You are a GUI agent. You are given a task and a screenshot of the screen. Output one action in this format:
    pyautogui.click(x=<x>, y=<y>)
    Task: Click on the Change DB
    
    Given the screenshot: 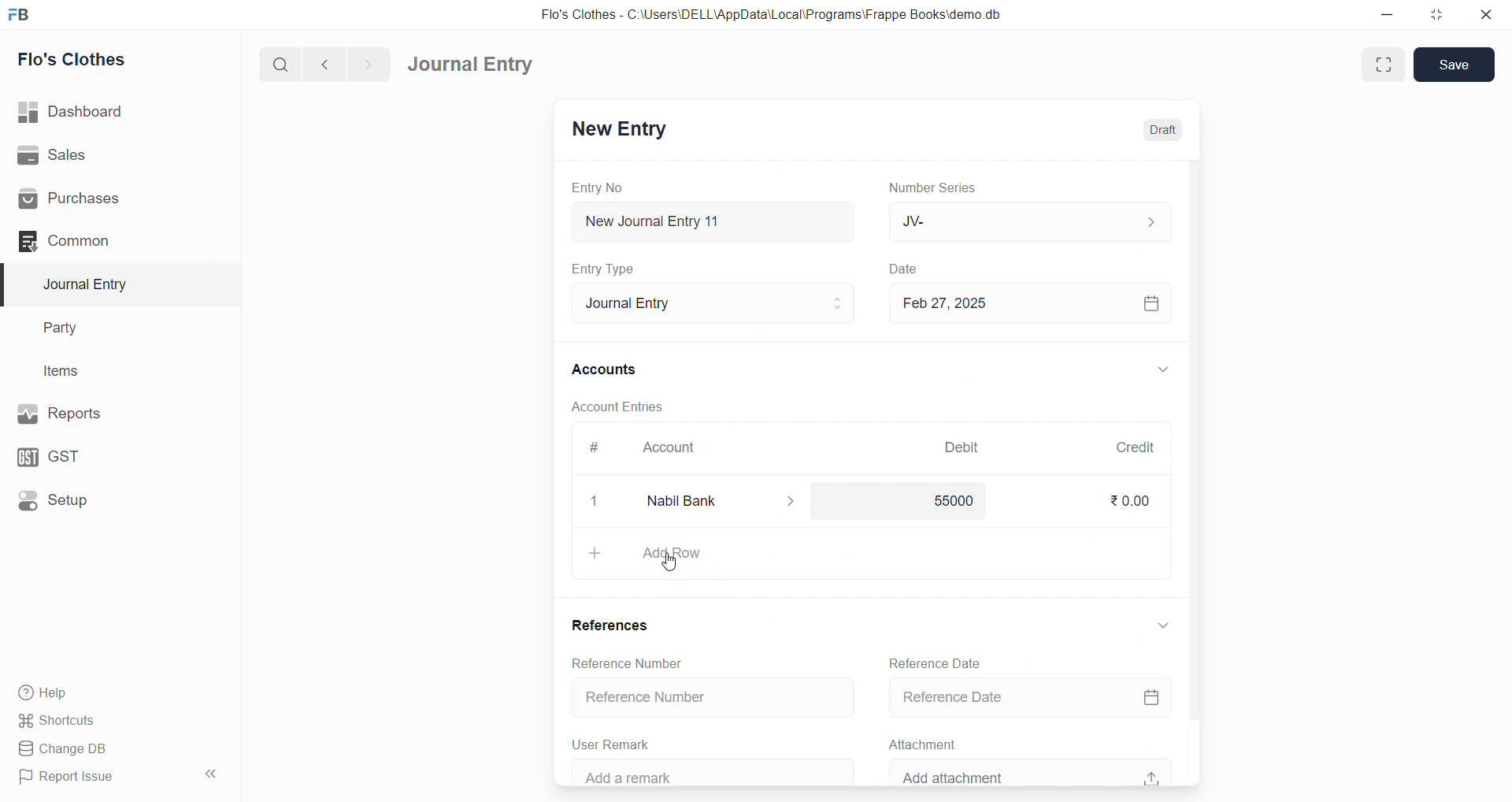 What is the action you would take?
    pyautogui.click(x=98, y=748)
    